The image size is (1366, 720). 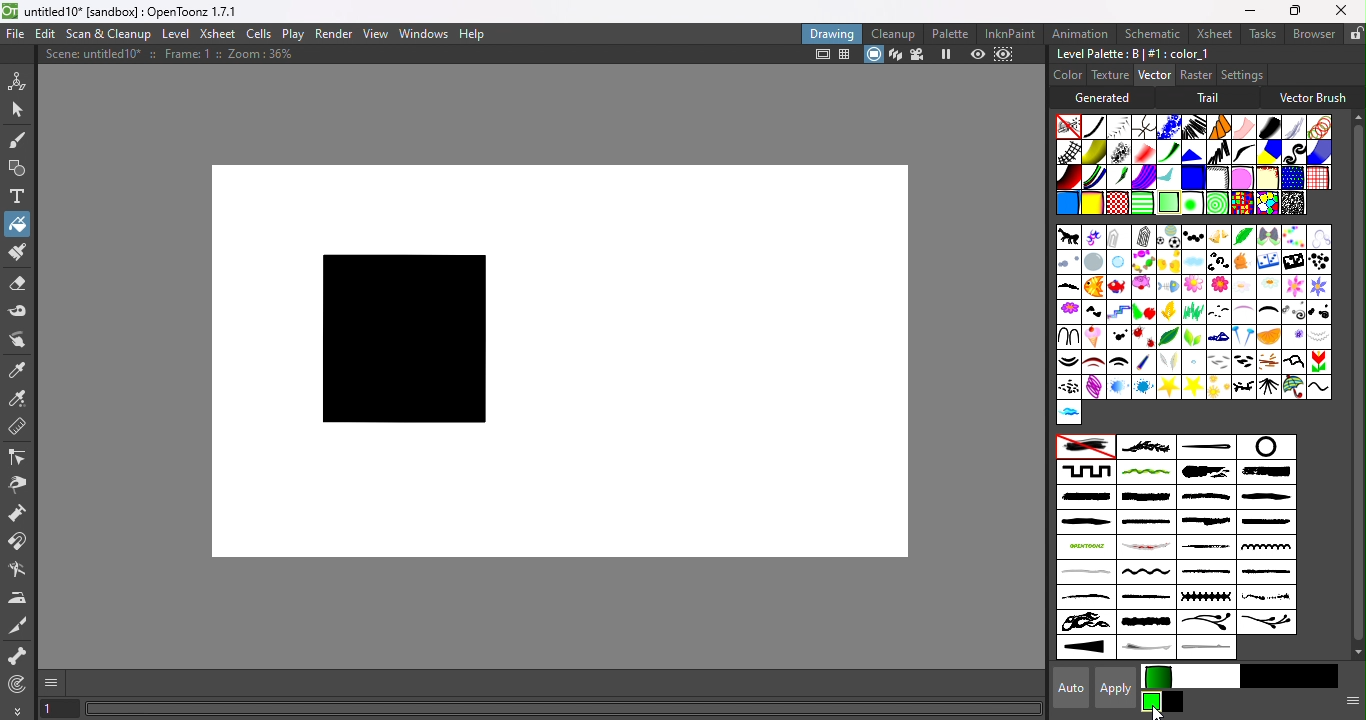 I want to click on gutt, so click(x=1218, y=311).